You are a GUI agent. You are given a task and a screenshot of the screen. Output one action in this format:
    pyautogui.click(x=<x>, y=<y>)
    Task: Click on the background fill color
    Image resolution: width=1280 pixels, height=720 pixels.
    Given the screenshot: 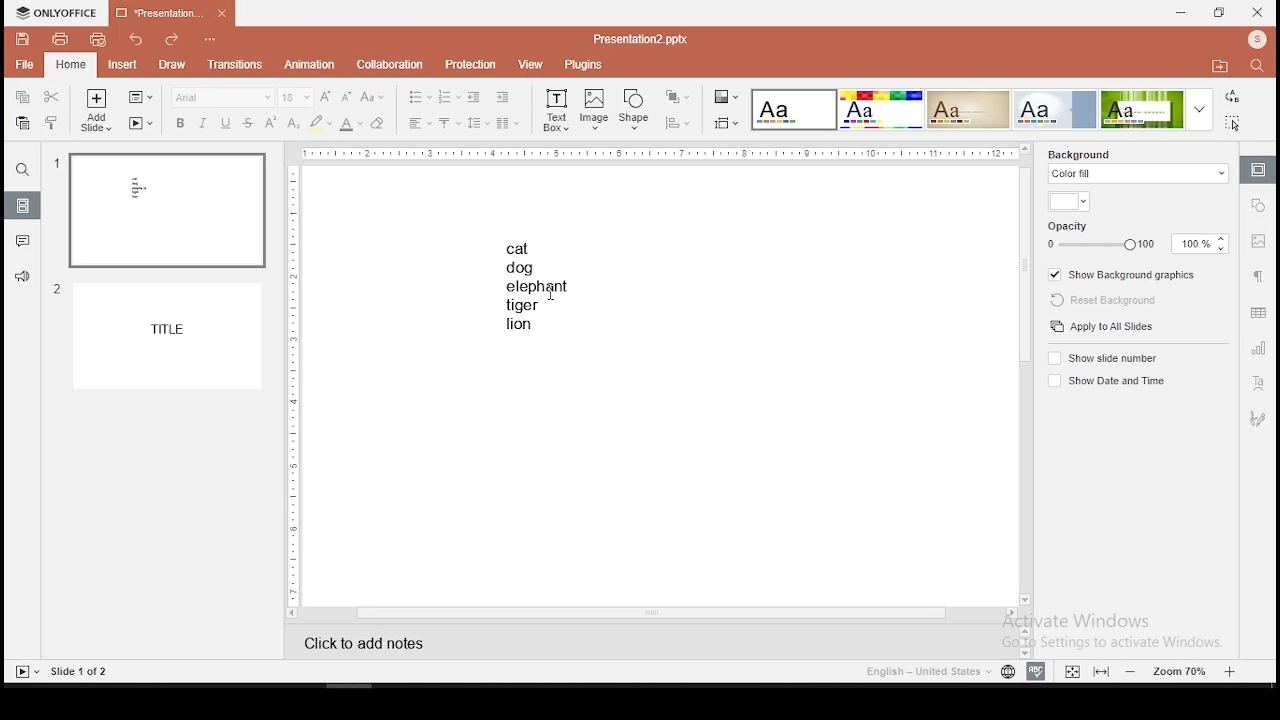 What is the action you would take?
    pyautogui.click(x=1068, y=201)
    